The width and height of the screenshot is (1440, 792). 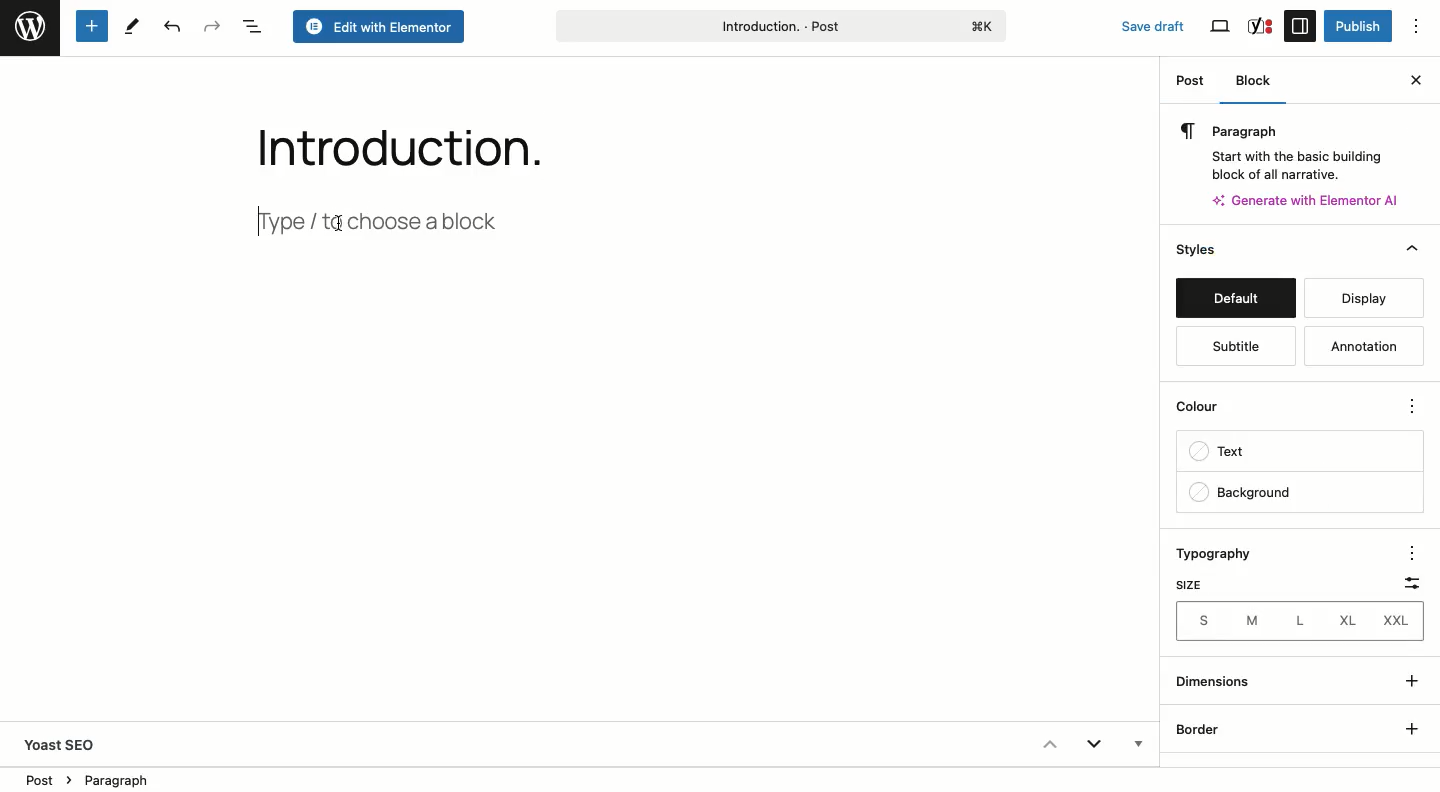 What do you see at coordinates (1208, 411) in the screenshot?
I see `Color` at bounding box center [1208, 411].